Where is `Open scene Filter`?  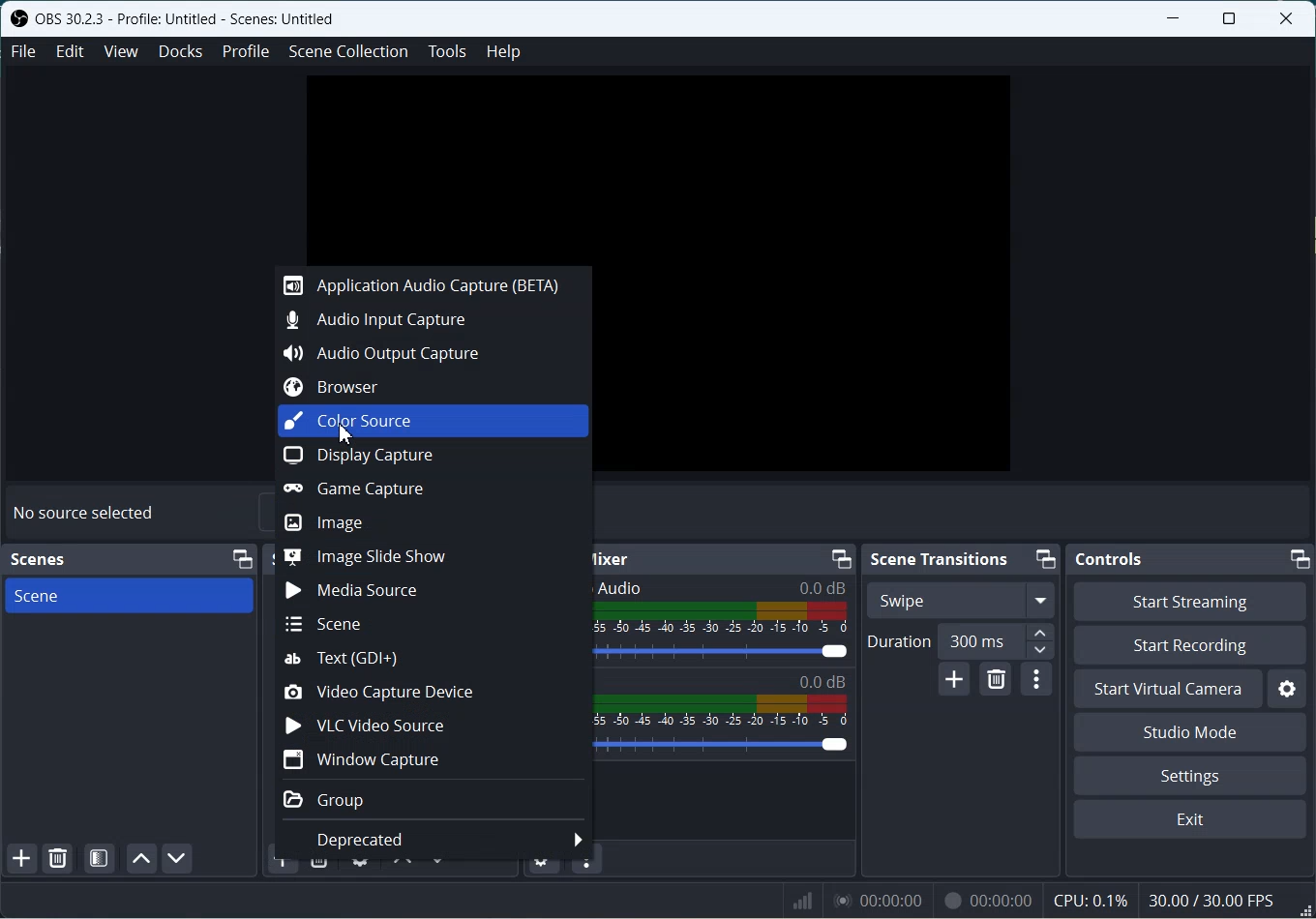
Open scene Filter is located at coordinates (99, 858).